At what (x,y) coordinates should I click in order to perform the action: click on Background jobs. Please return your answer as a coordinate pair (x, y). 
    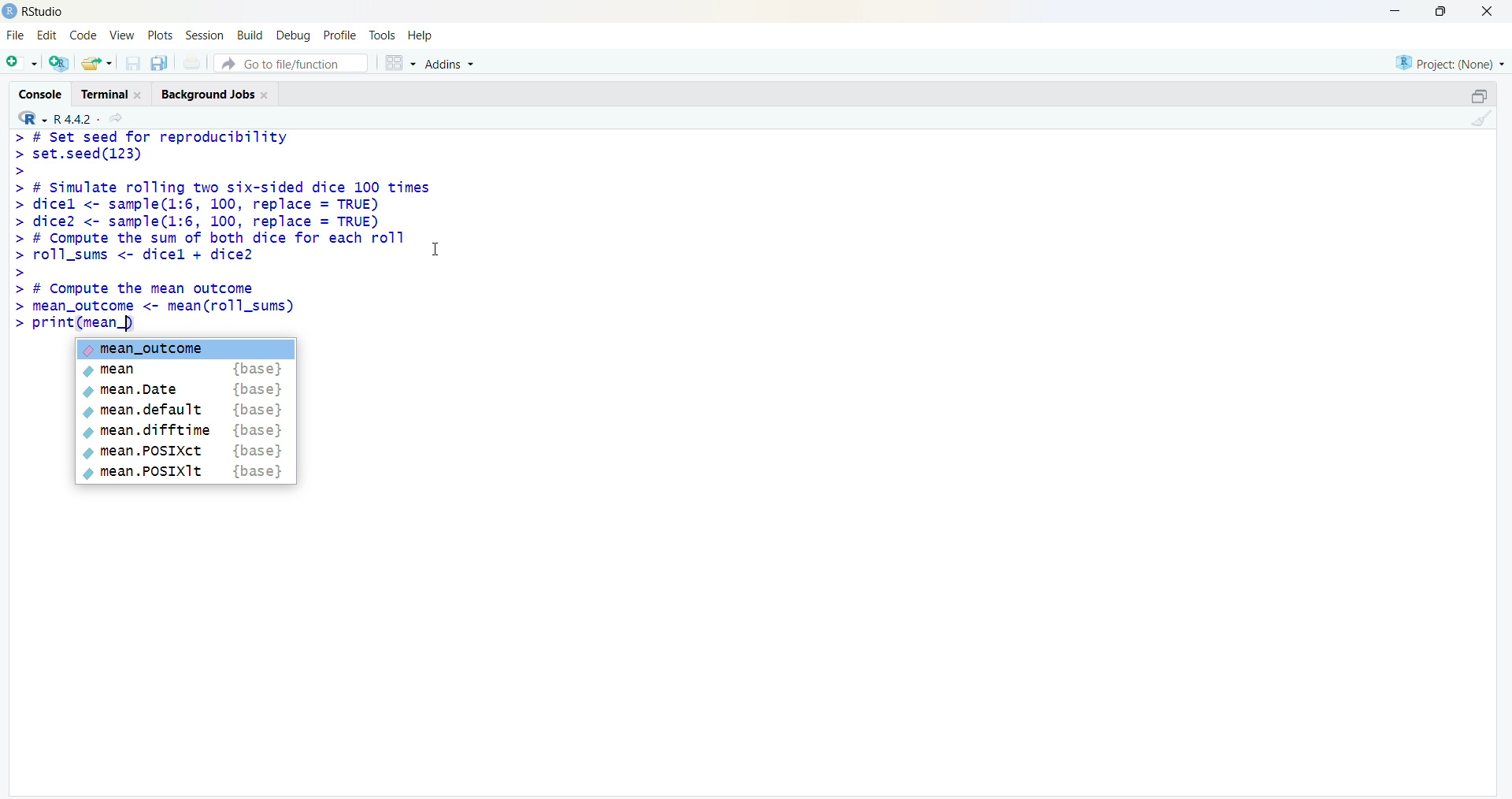
    Looking at the image, I should click on (207, 96).